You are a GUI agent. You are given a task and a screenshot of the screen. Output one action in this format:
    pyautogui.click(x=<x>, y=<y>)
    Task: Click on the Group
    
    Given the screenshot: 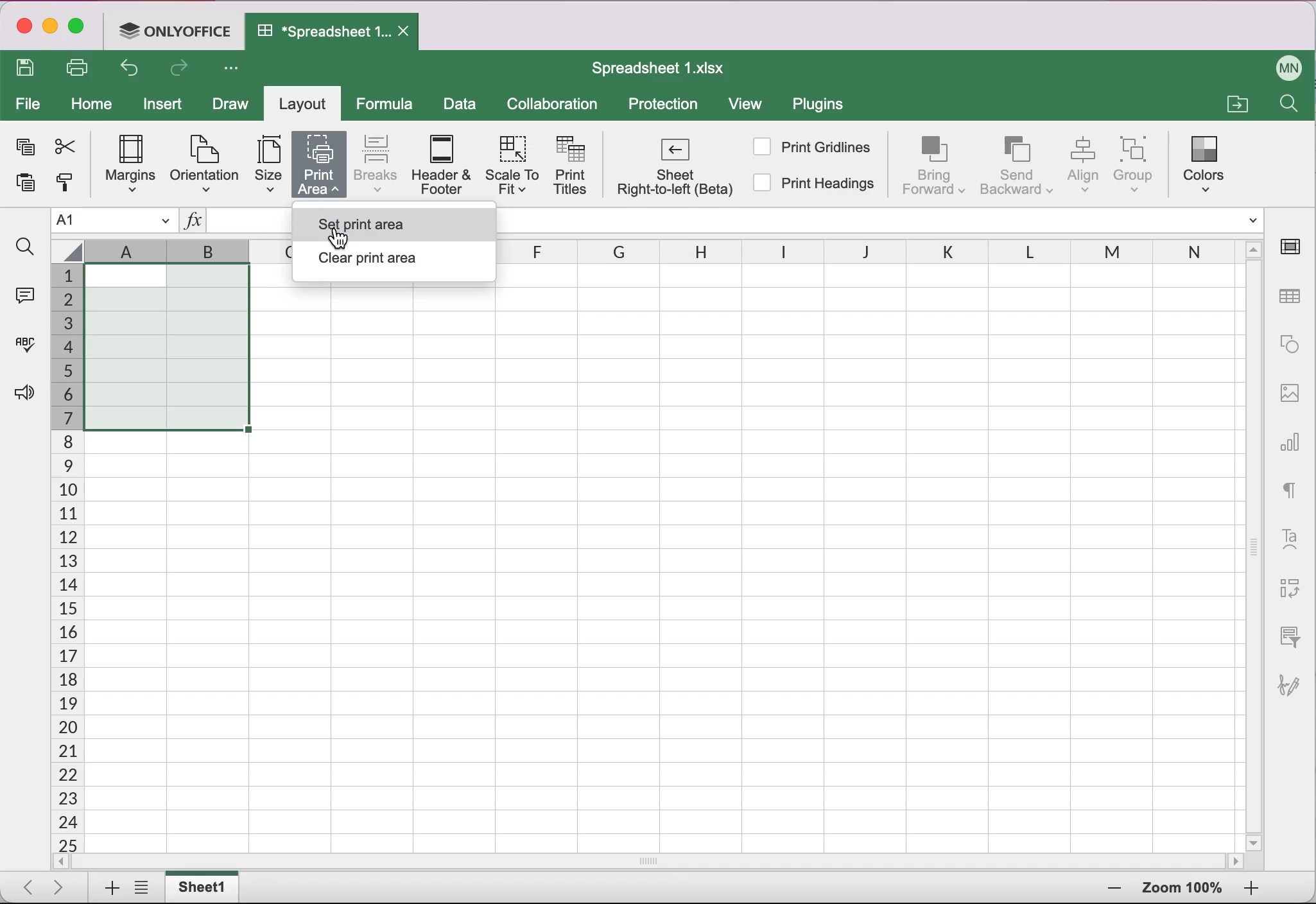 What is the action you would take?
    pyautogui.click(x=1141, y=164)
    